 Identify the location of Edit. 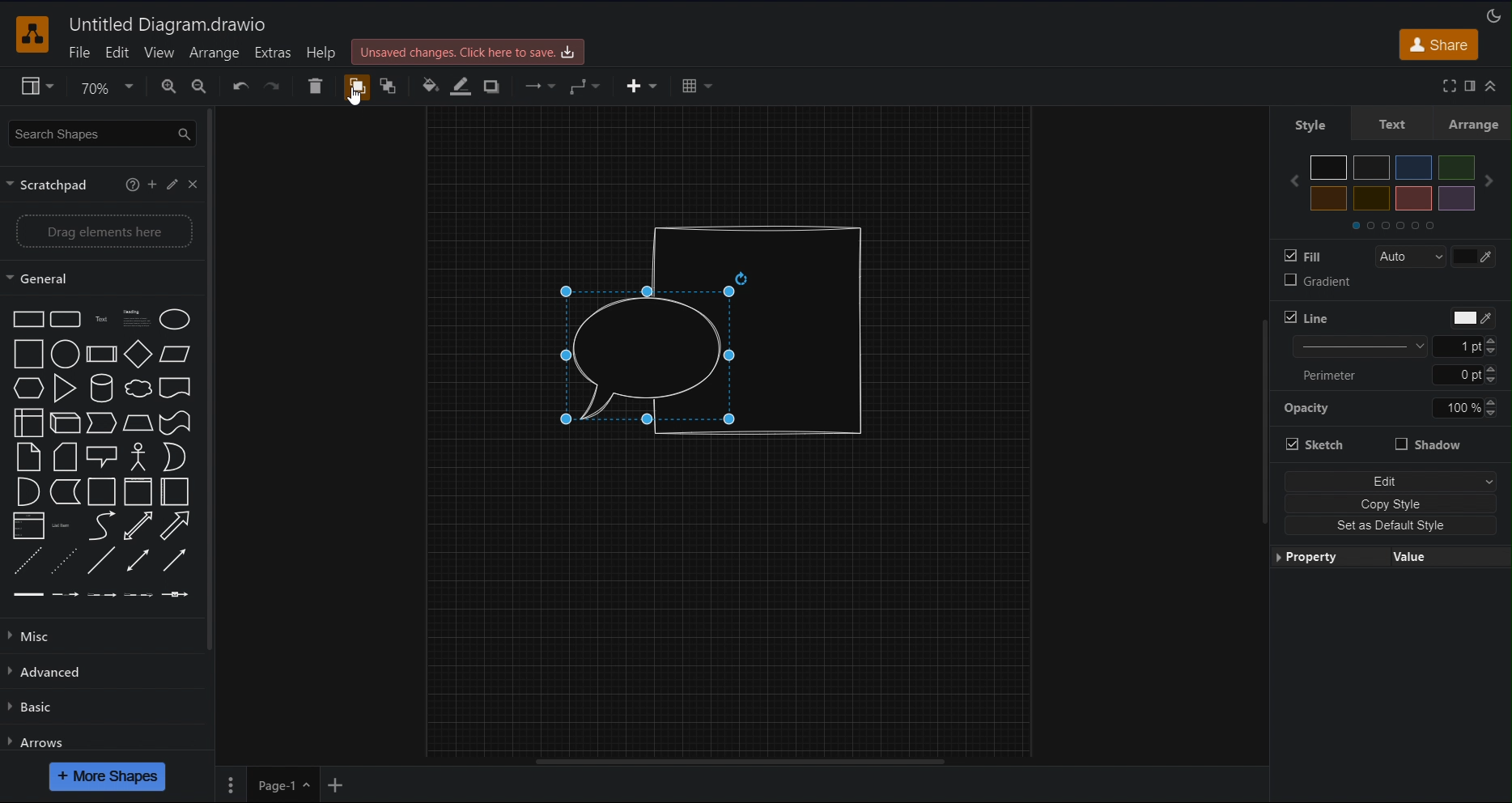
(1391, 482).